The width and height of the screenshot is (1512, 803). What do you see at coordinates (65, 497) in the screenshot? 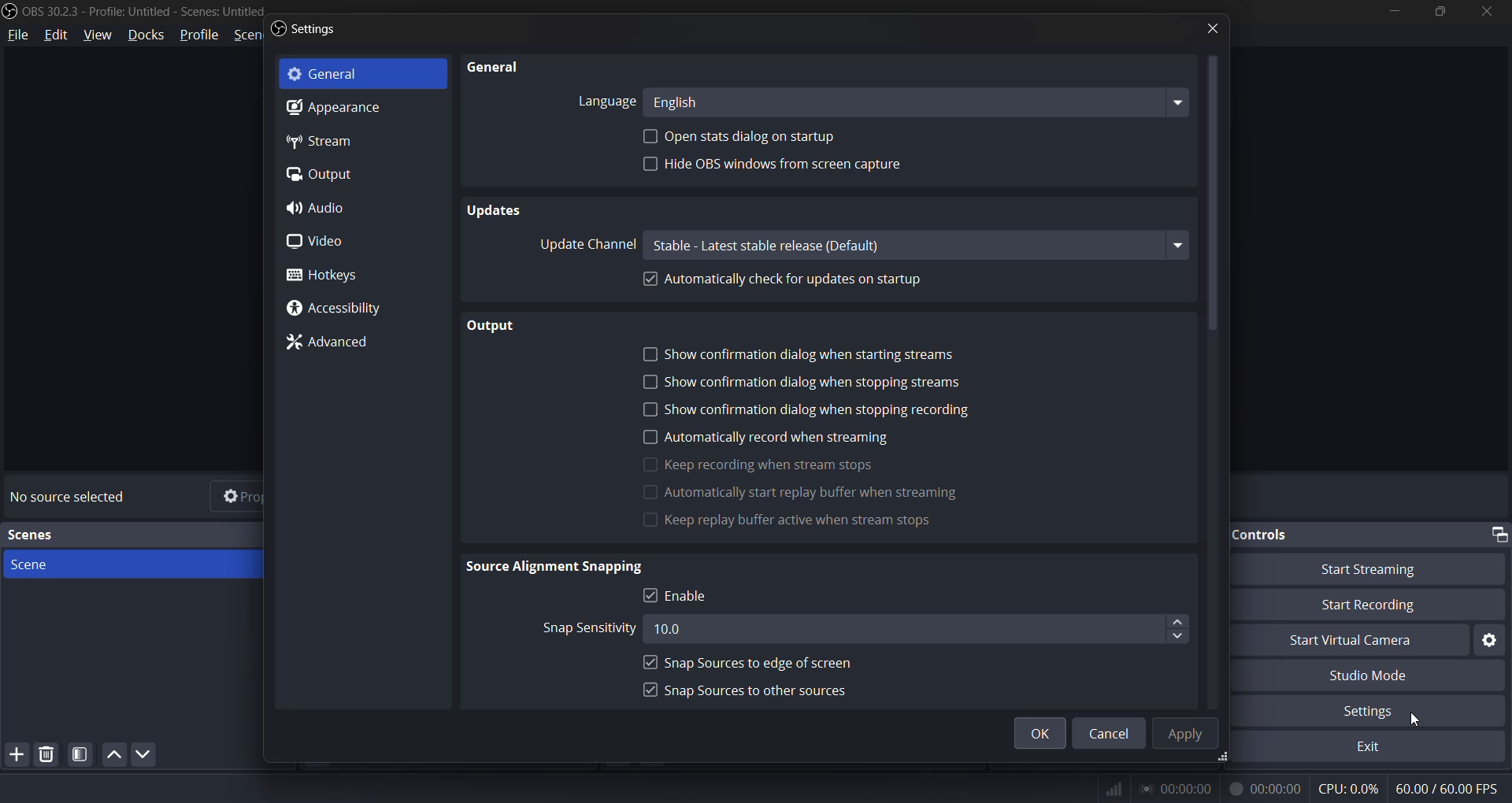
I see `no source selected` at bounding box center [65, 497].